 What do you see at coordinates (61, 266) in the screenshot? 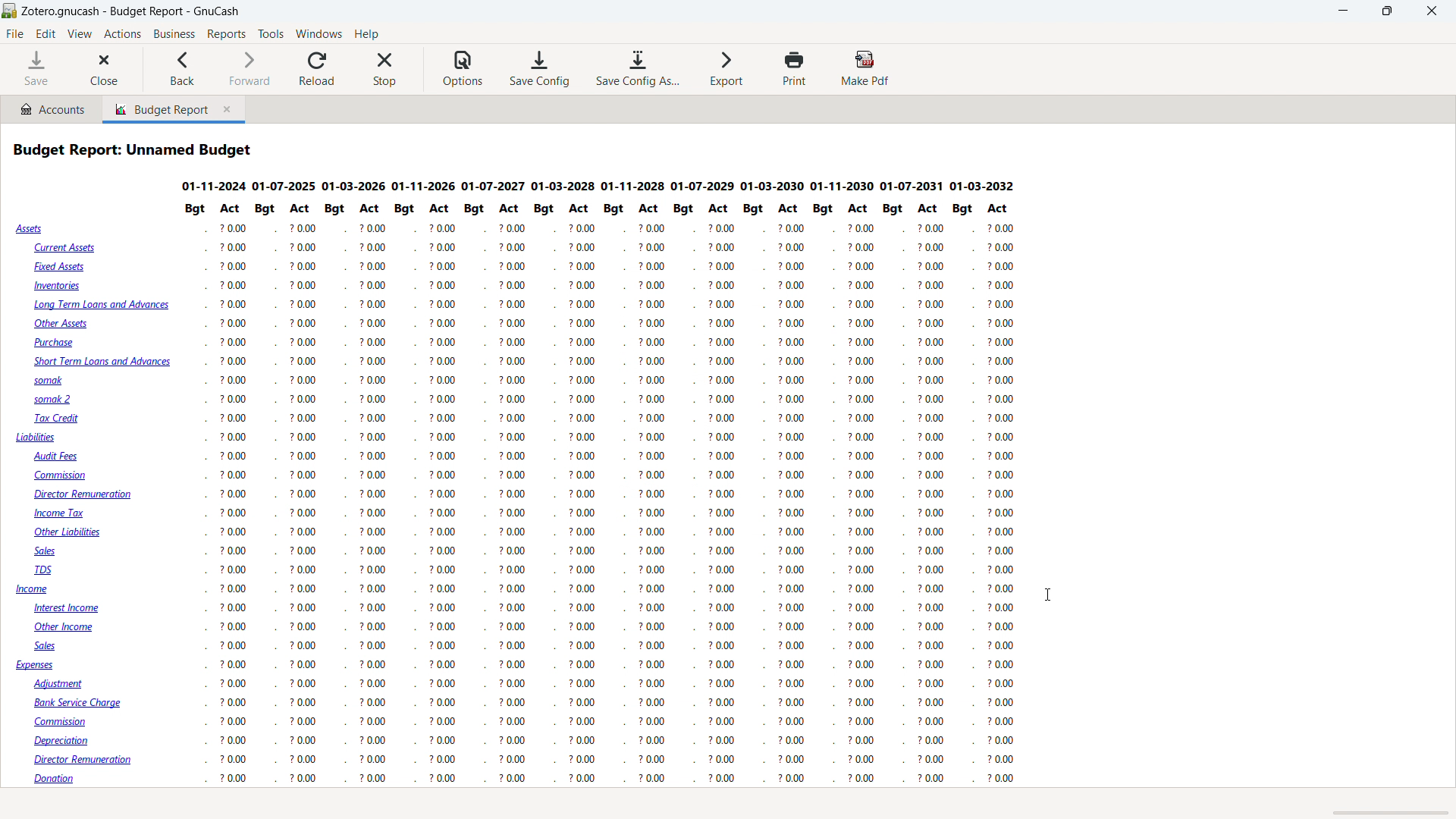
I see `Fixed Assets` at bounding box center [61, 266].